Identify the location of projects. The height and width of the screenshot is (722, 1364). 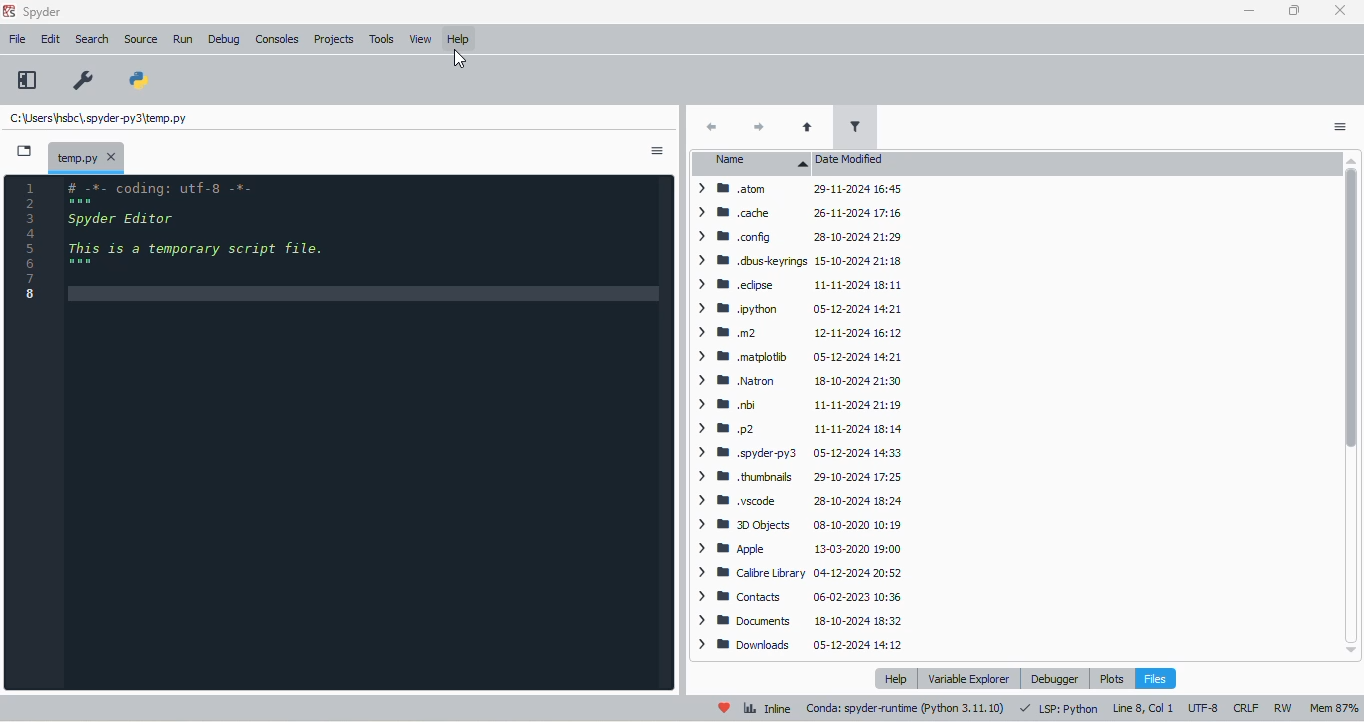
(334, 39).